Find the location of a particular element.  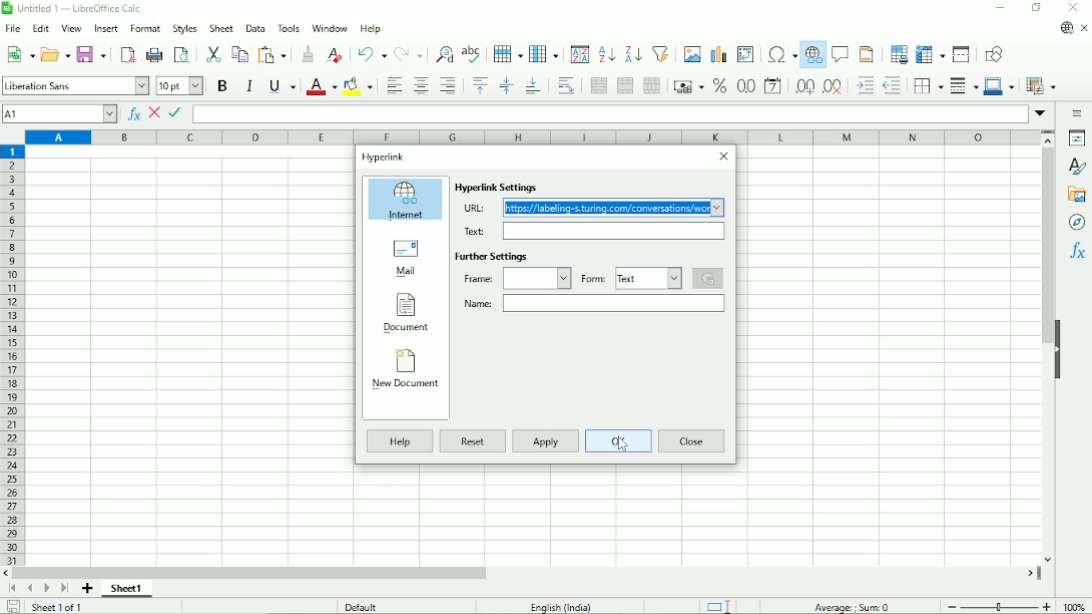

URL is located at coordinates (473, 208).